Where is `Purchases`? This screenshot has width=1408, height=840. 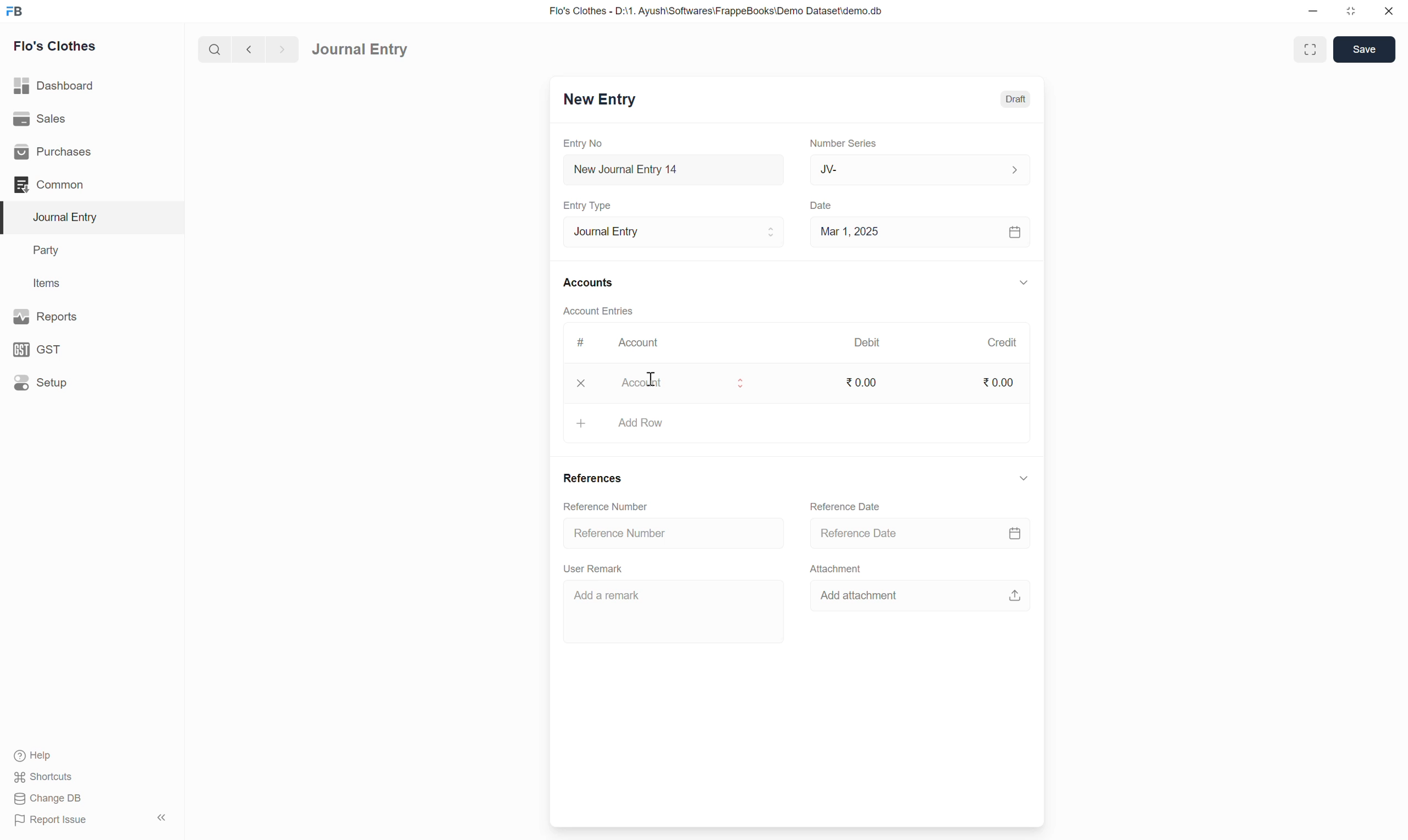
Purchases is located at coordinates (56, 152).